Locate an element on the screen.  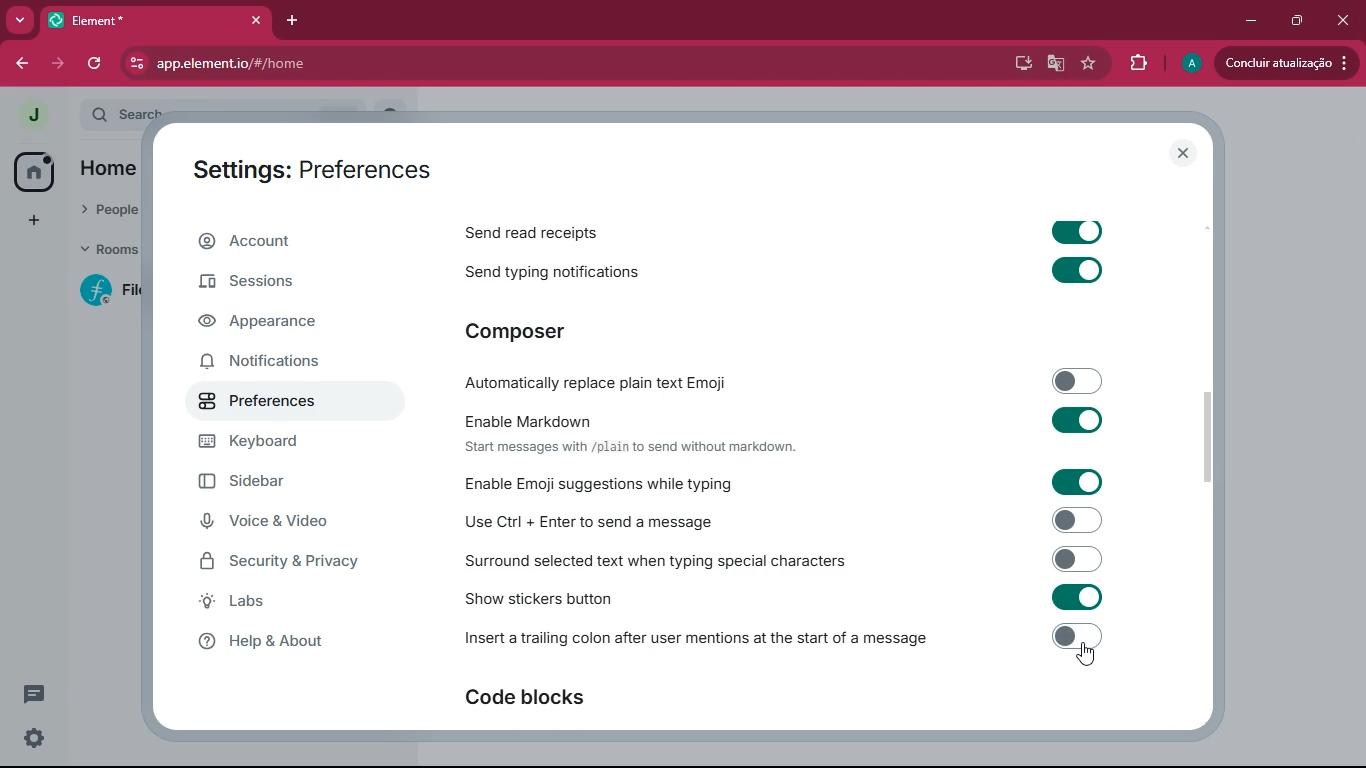
voice & video is located at coordinates (276, 523).